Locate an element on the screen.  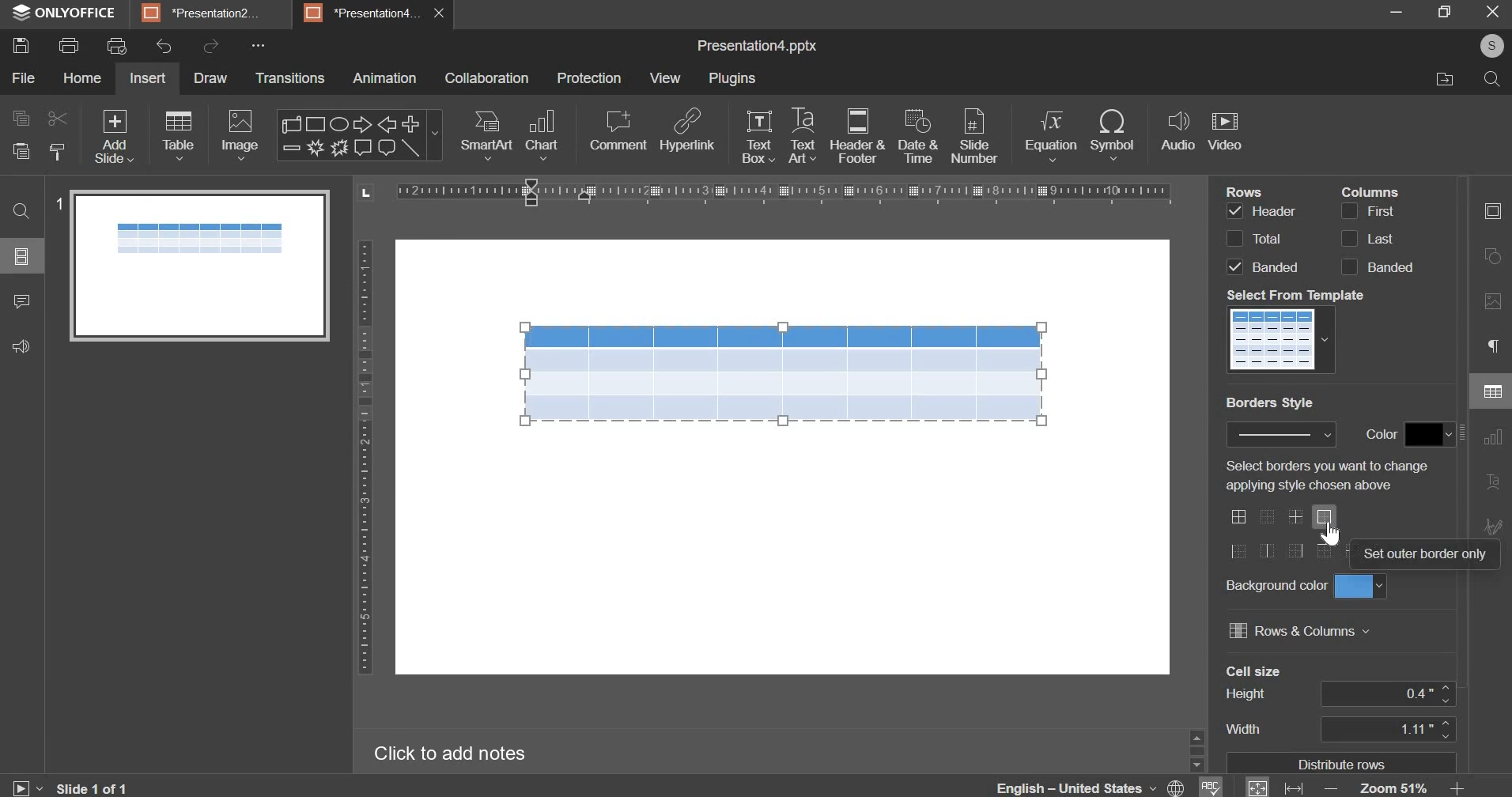
table settings is located at coordinates (1496, 391).